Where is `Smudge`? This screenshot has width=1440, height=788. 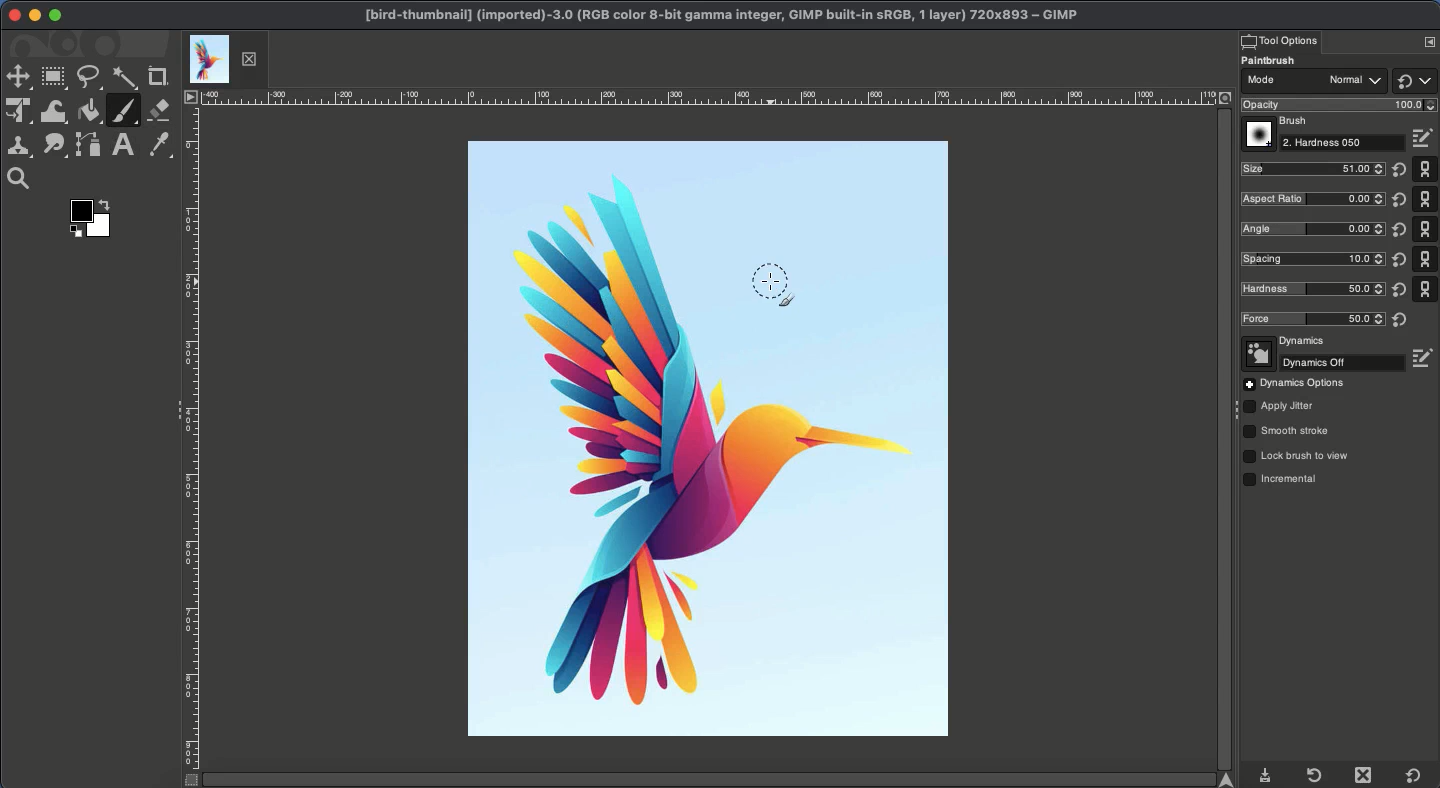
Smudge is located at coordinates (54, 147).